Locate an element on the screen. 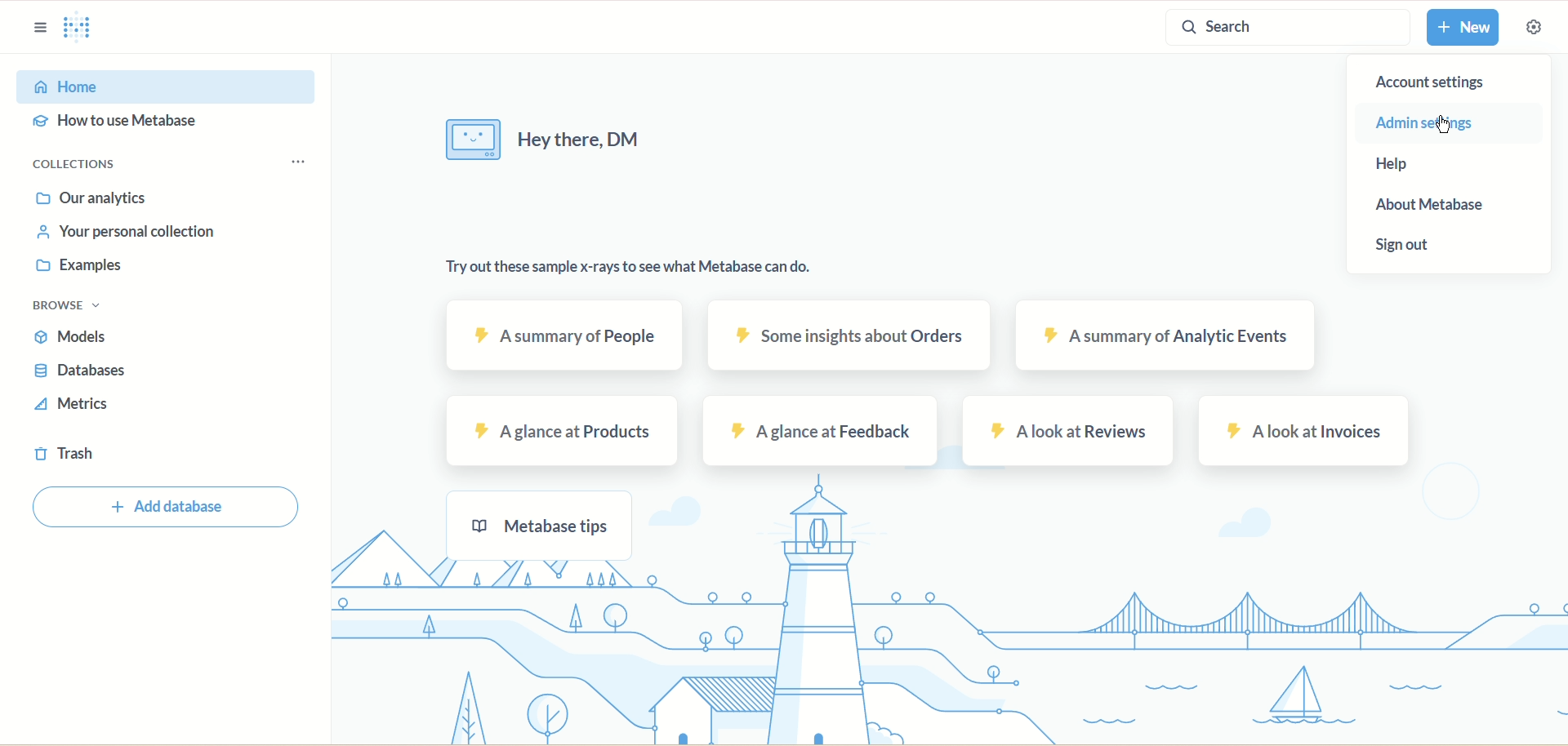 This screenshot has width=1568, height=746. About metabase is located at coordinates (1446, 202).